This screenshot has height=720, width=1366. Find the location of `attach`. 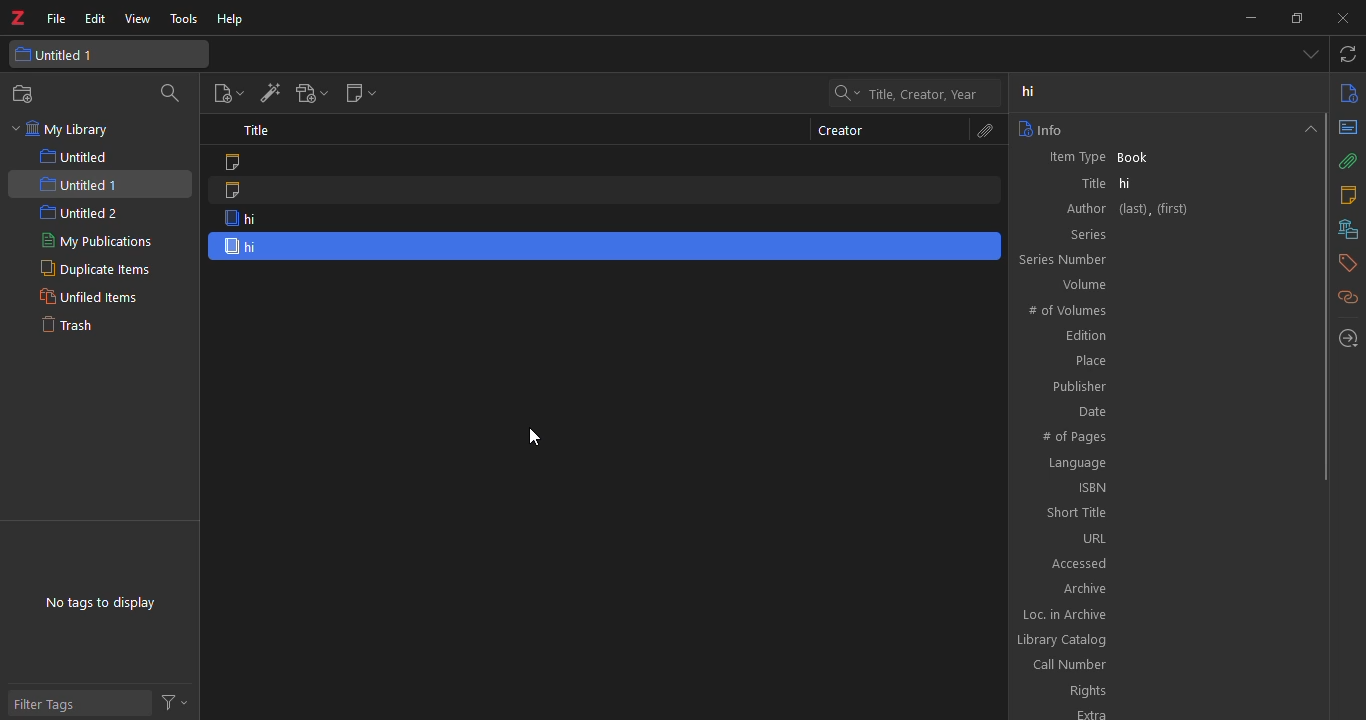

attach is located at coordinates (1351, 160).